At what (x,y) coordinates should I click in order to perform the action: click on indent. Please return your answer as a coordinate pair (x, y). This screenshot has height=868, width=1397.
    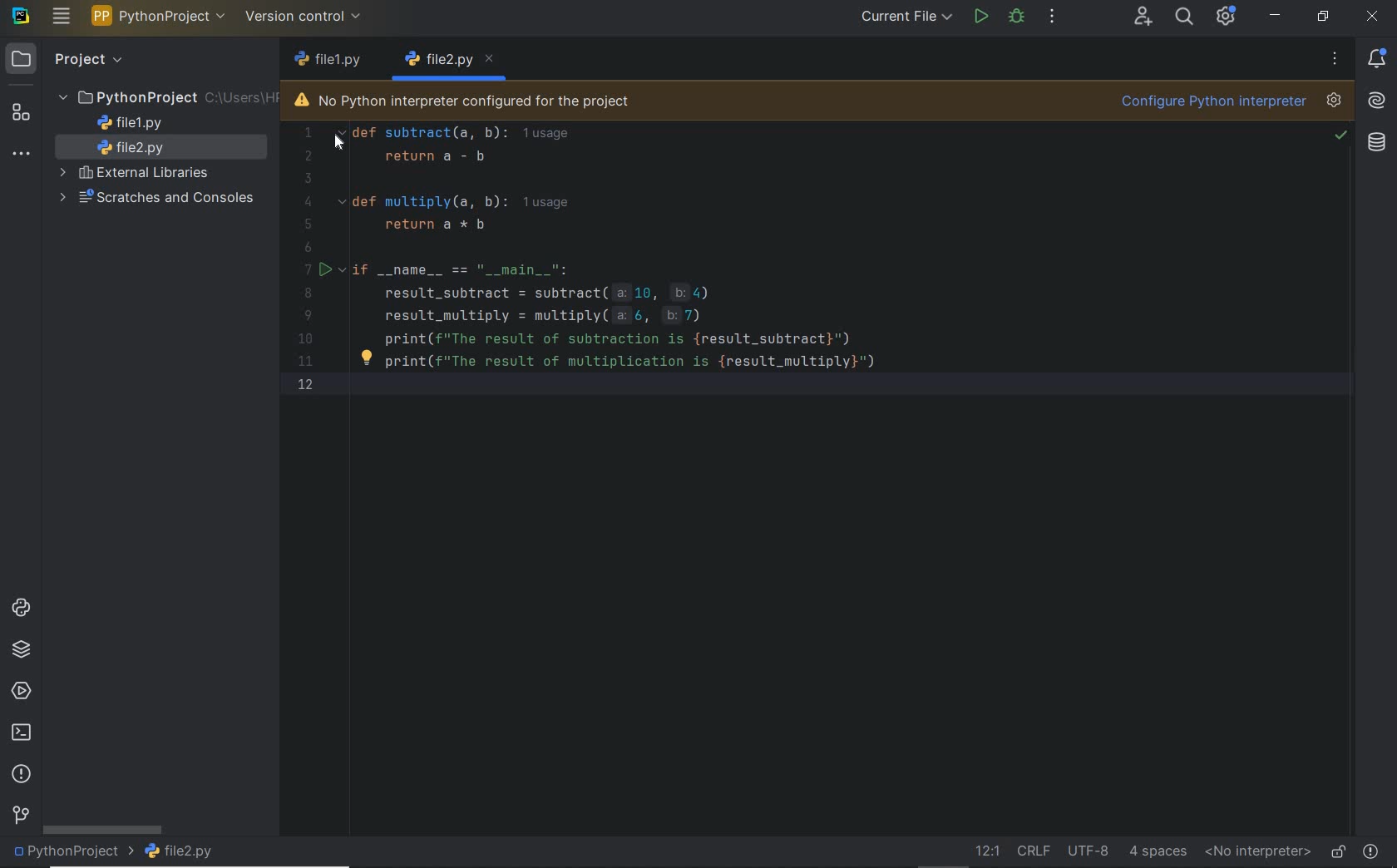
    Looking at the image, I should click on (1157, 851).